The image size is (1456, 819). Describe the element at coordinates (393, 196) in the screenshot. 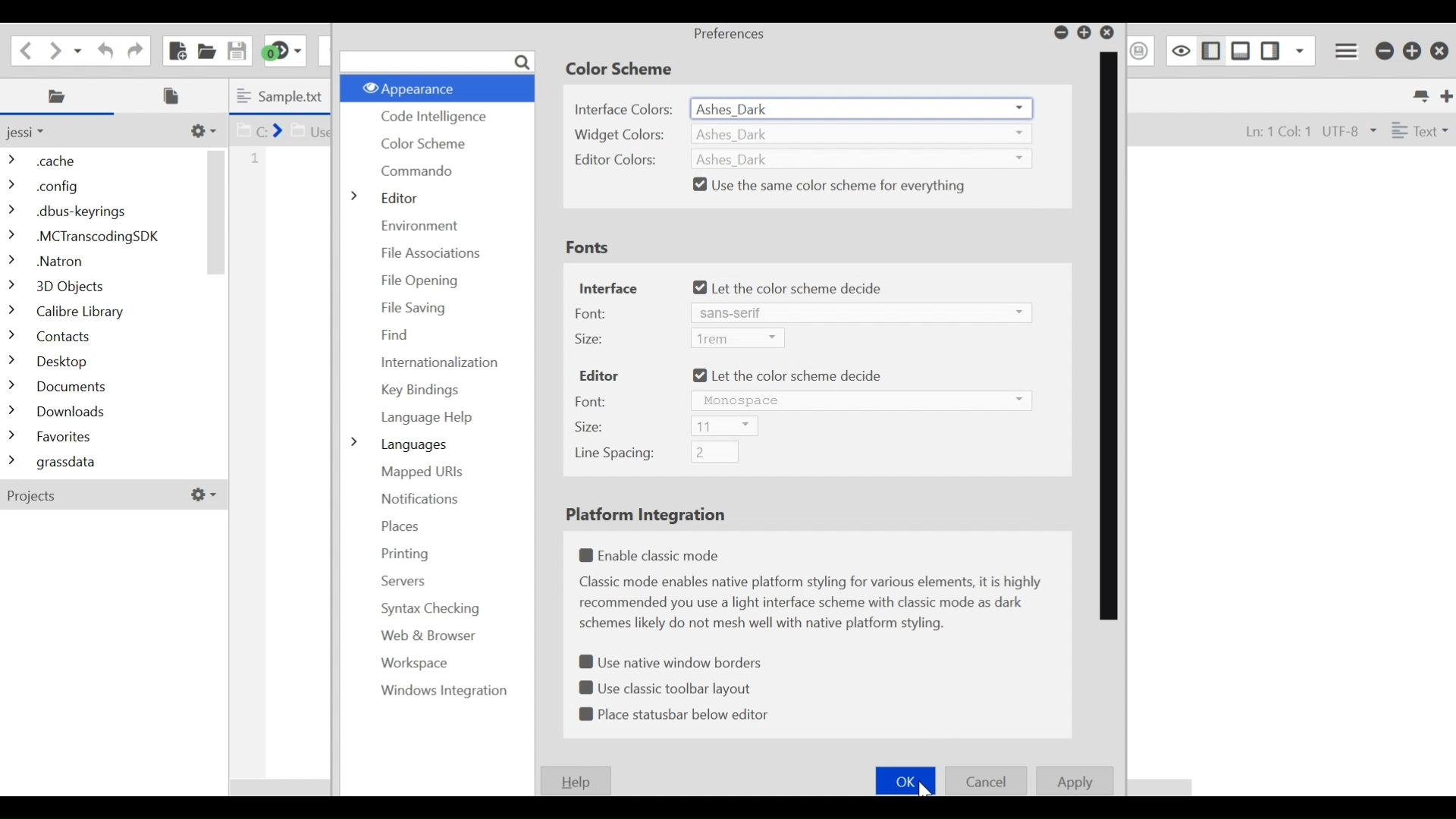

I see `Editor` at that location.